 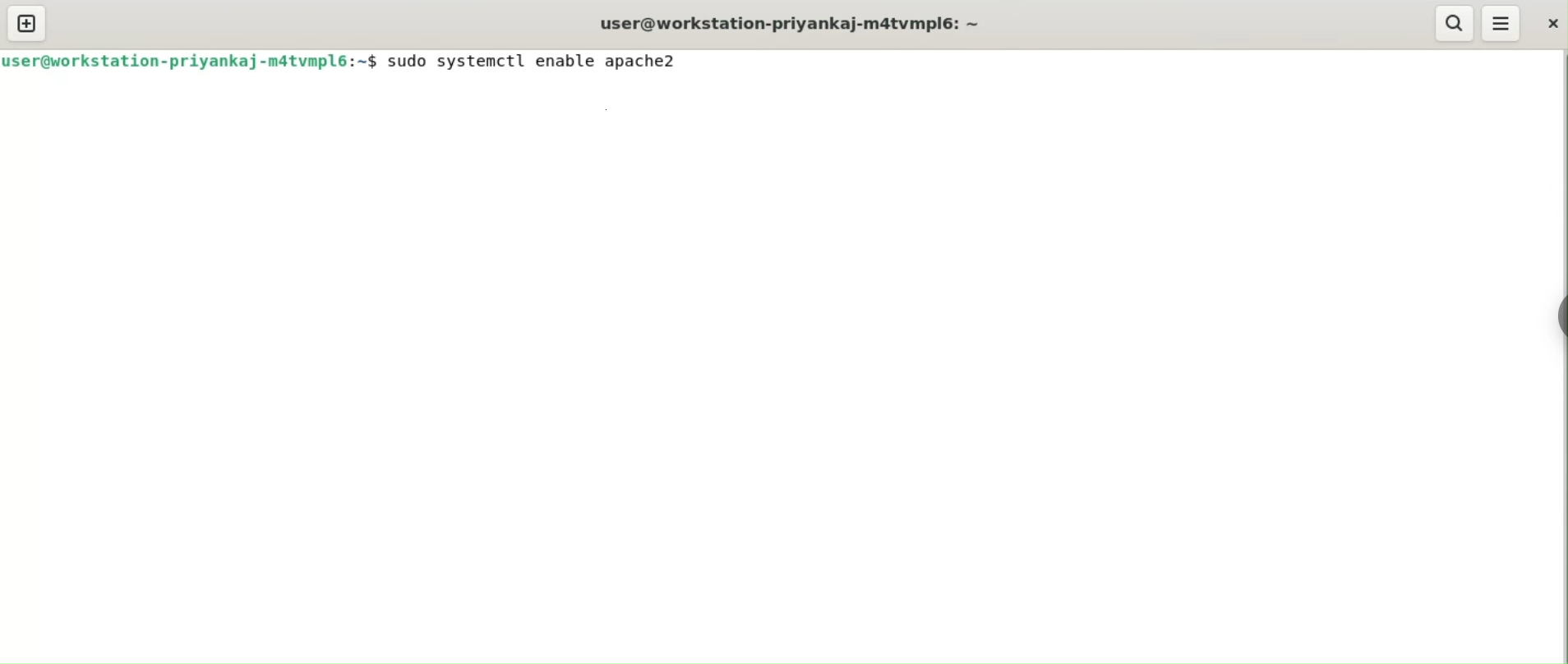 I want to click on search, so click(x=1455, y=24).